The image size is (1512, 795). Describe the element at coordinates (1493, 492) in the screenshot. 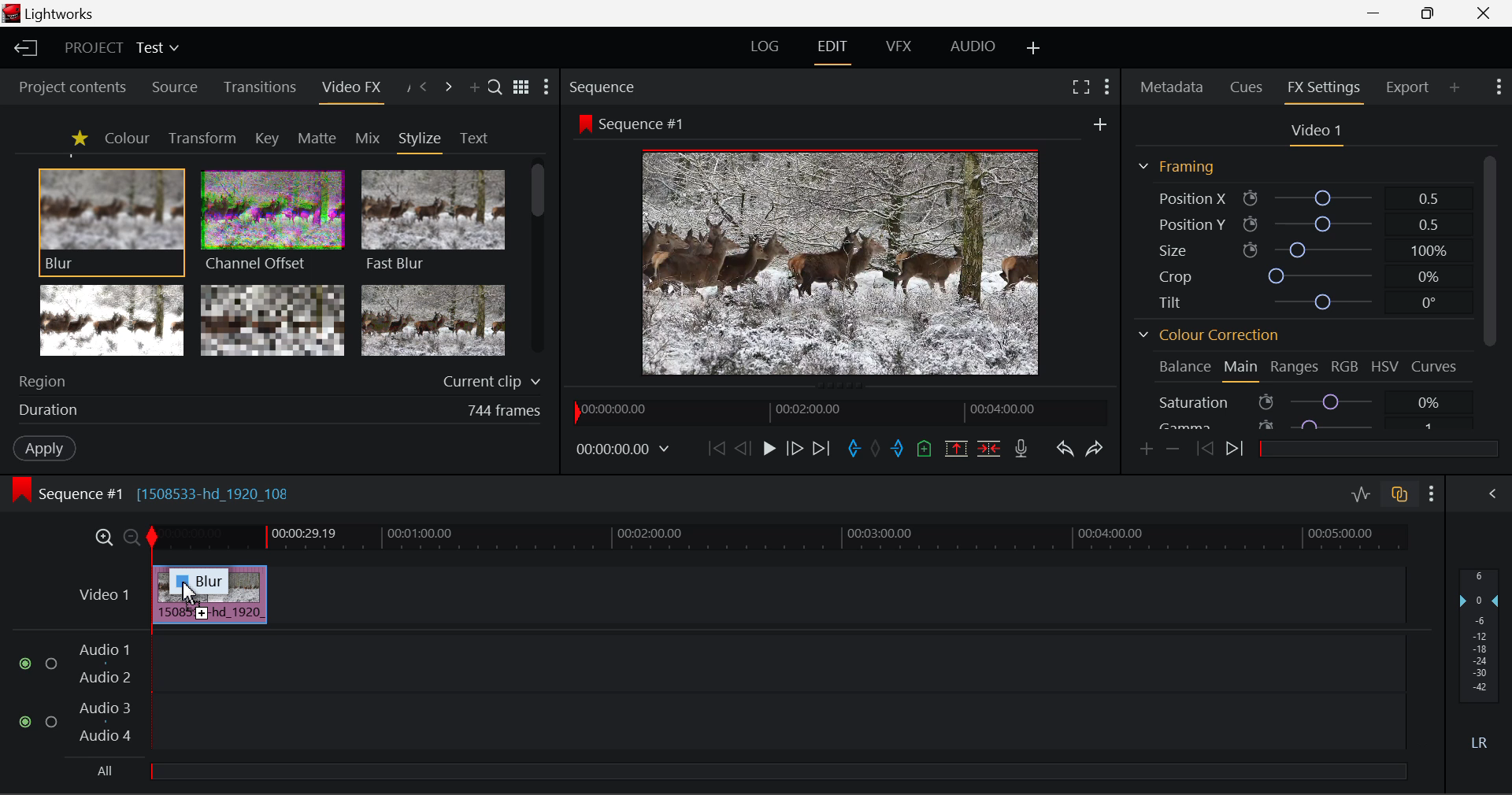

I see `View Audio Mix` at that location.